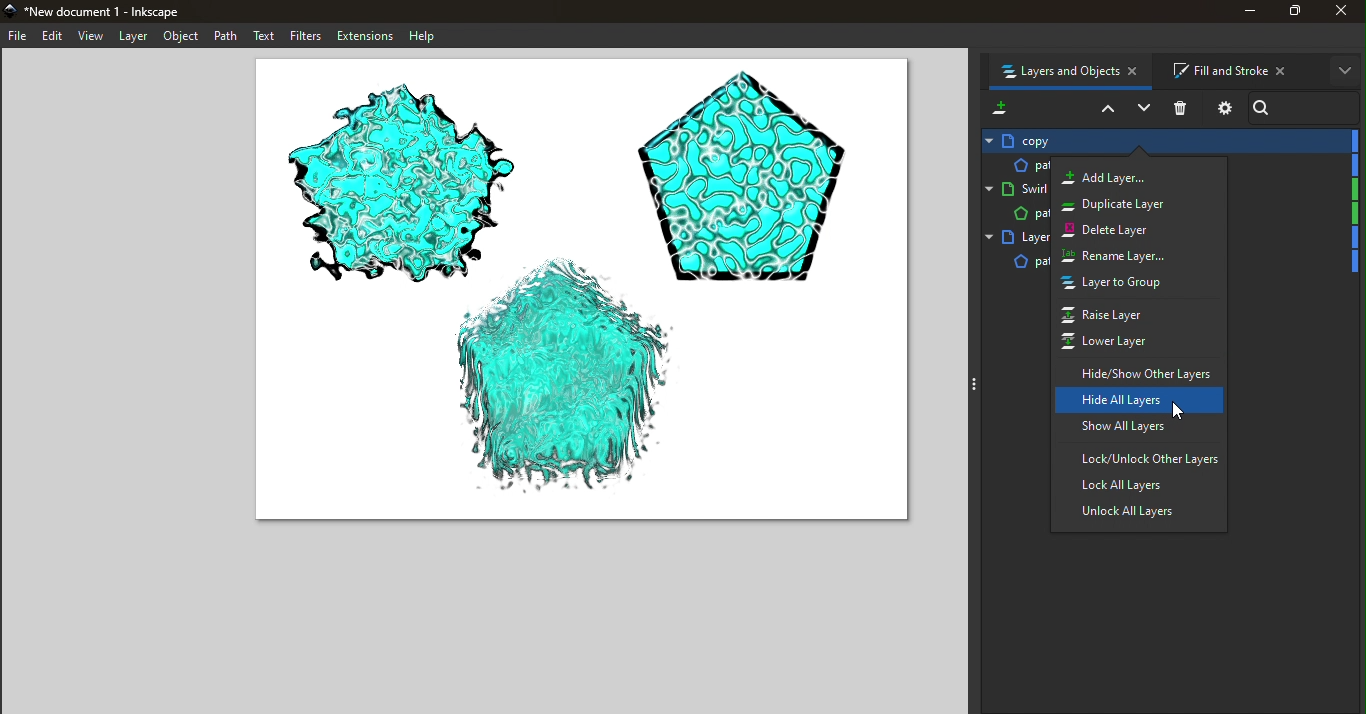 Image resolution: width=1366 pixels, height=714 pixels. I want to click on Lower layer, so click(1141, 341).